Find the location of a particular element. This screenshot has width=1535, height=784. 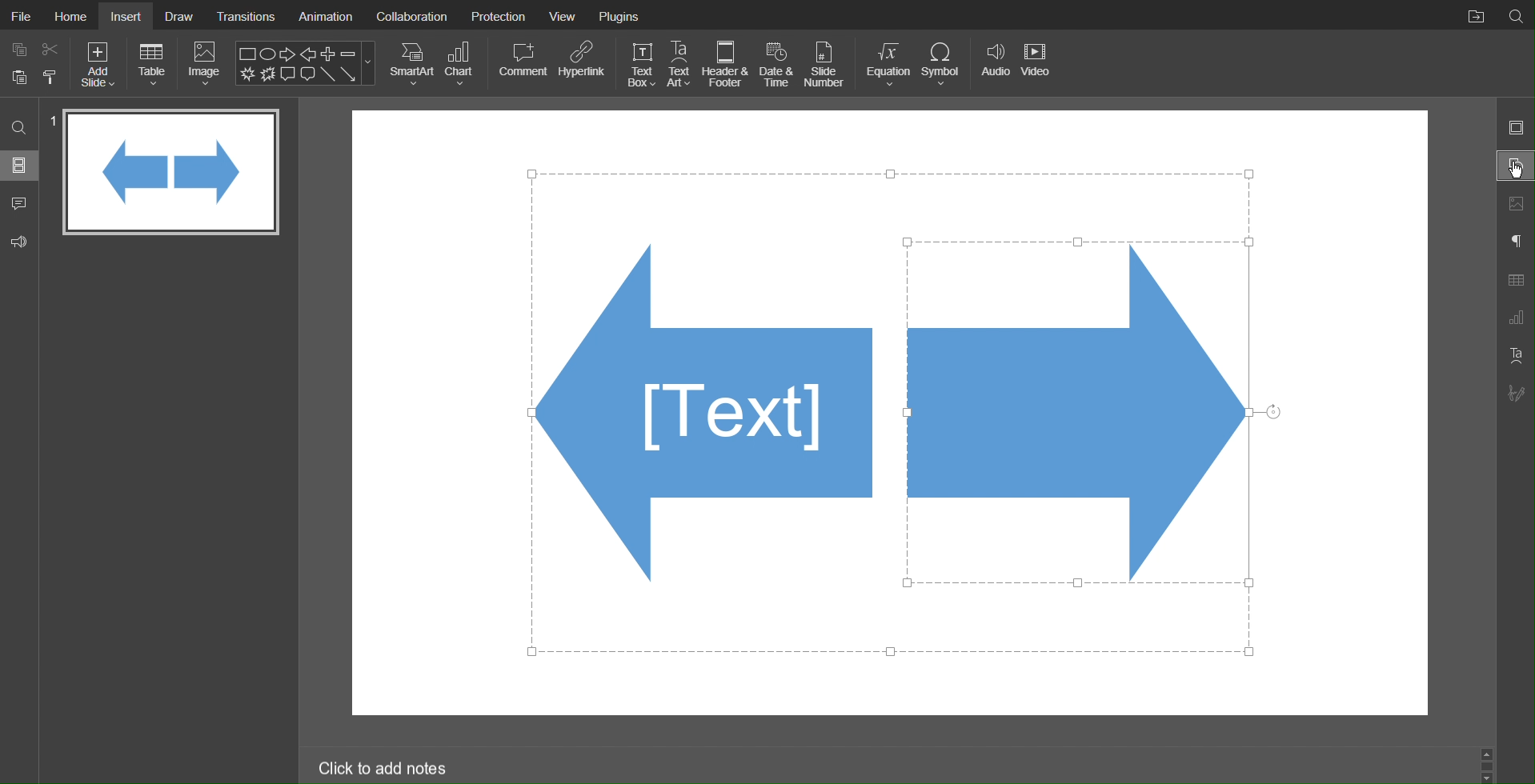

copy is located at coordinates (18, 48).